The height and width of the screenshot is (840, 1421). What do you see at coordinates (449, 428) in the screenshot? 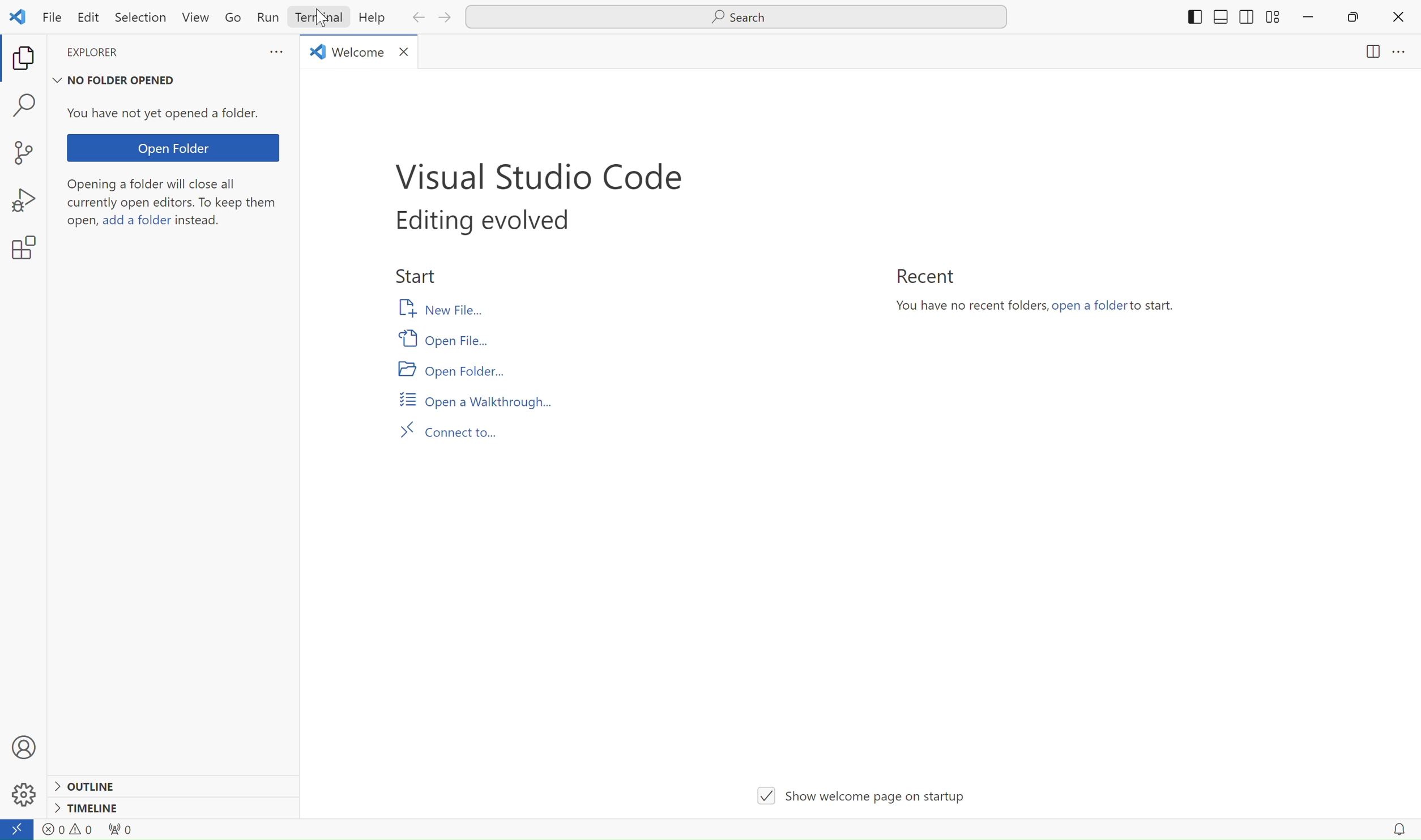
I see `Connect to` at bounding box center [449, 428].